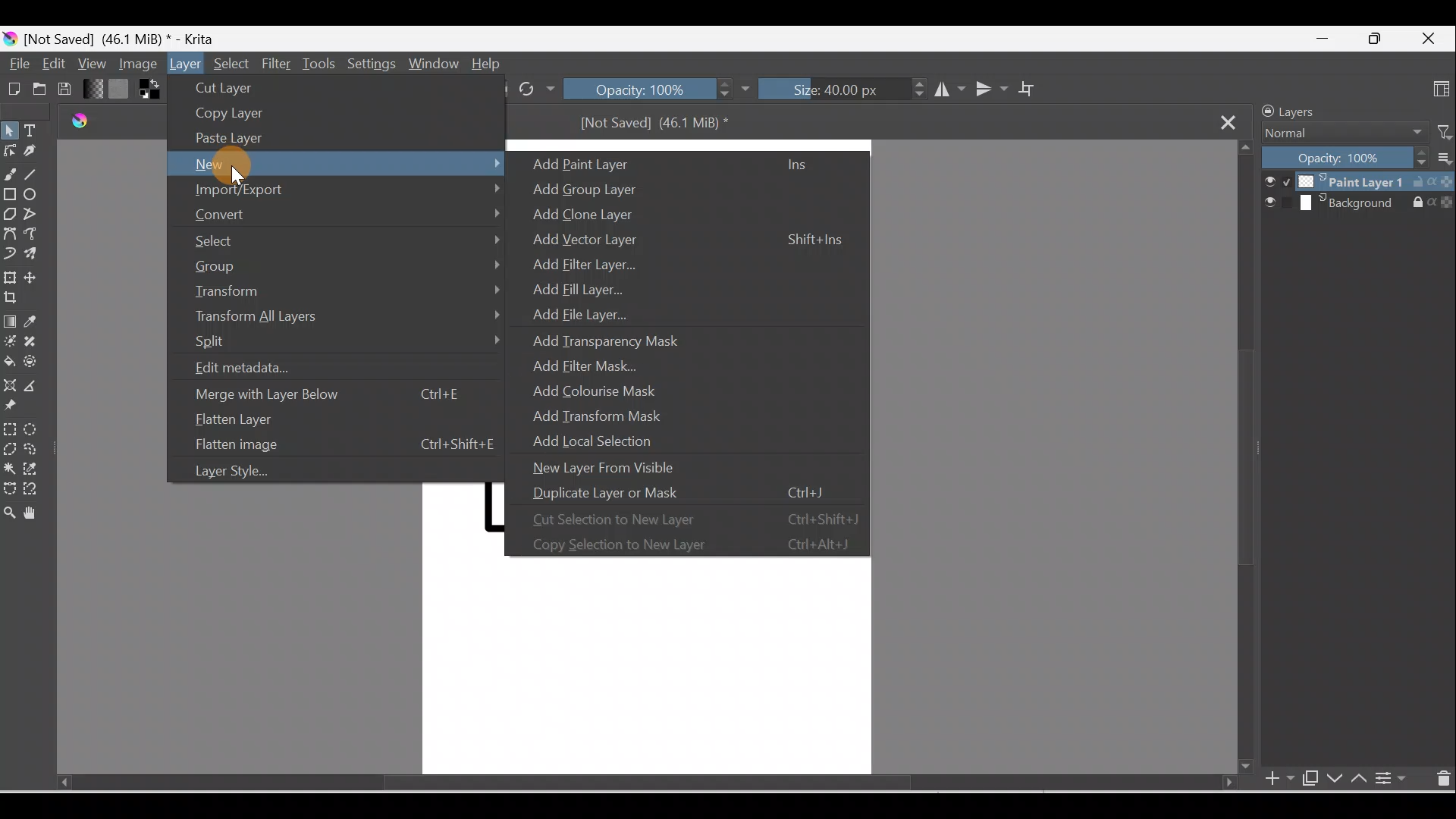 Image resolution: width=1456 pixels, height=819 pixels. I want to click on Size:40:00px, so click(841, 91).